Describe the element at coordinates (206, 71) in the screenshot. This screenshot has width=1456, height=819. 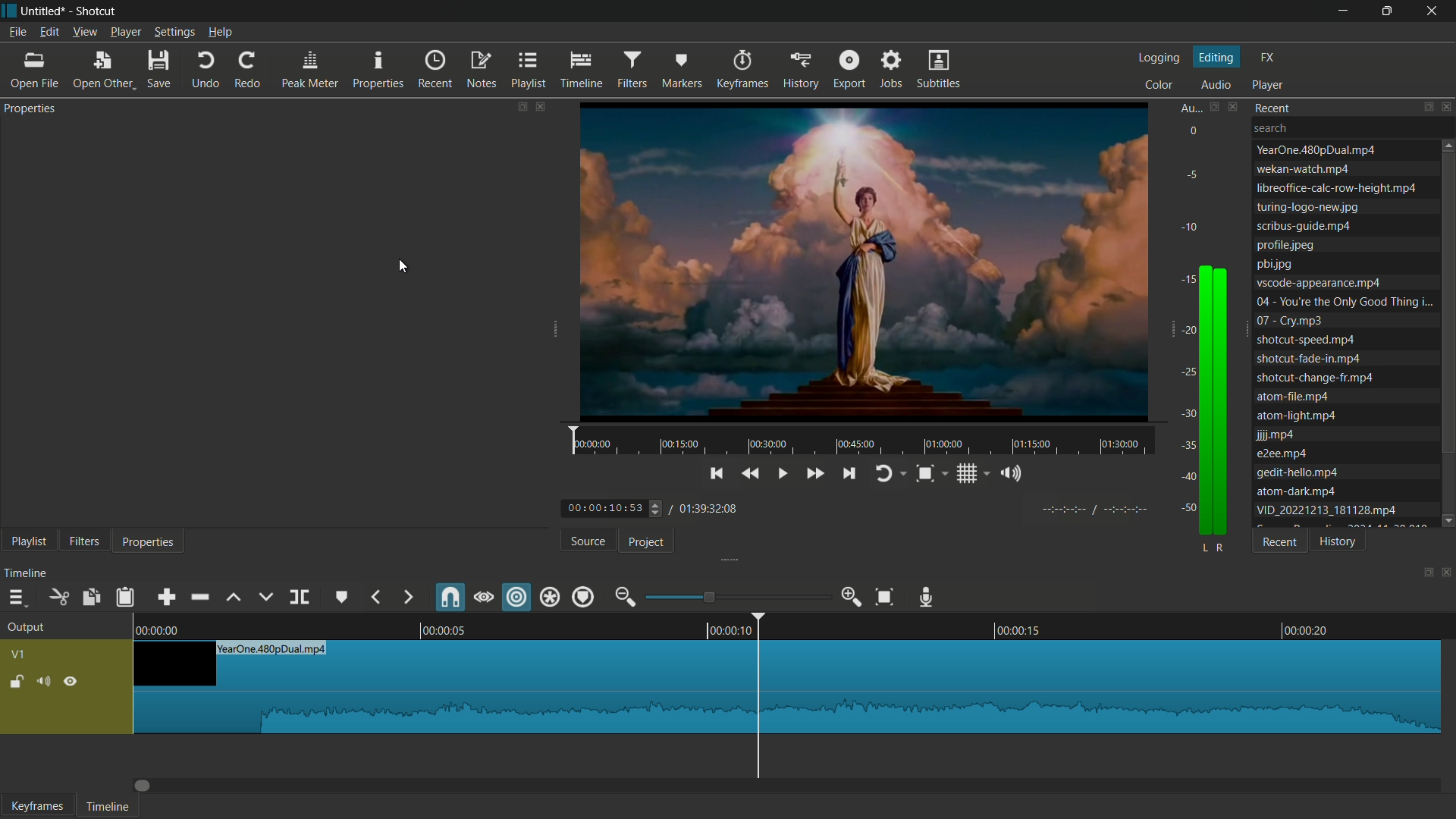
I see `undo` at that location.